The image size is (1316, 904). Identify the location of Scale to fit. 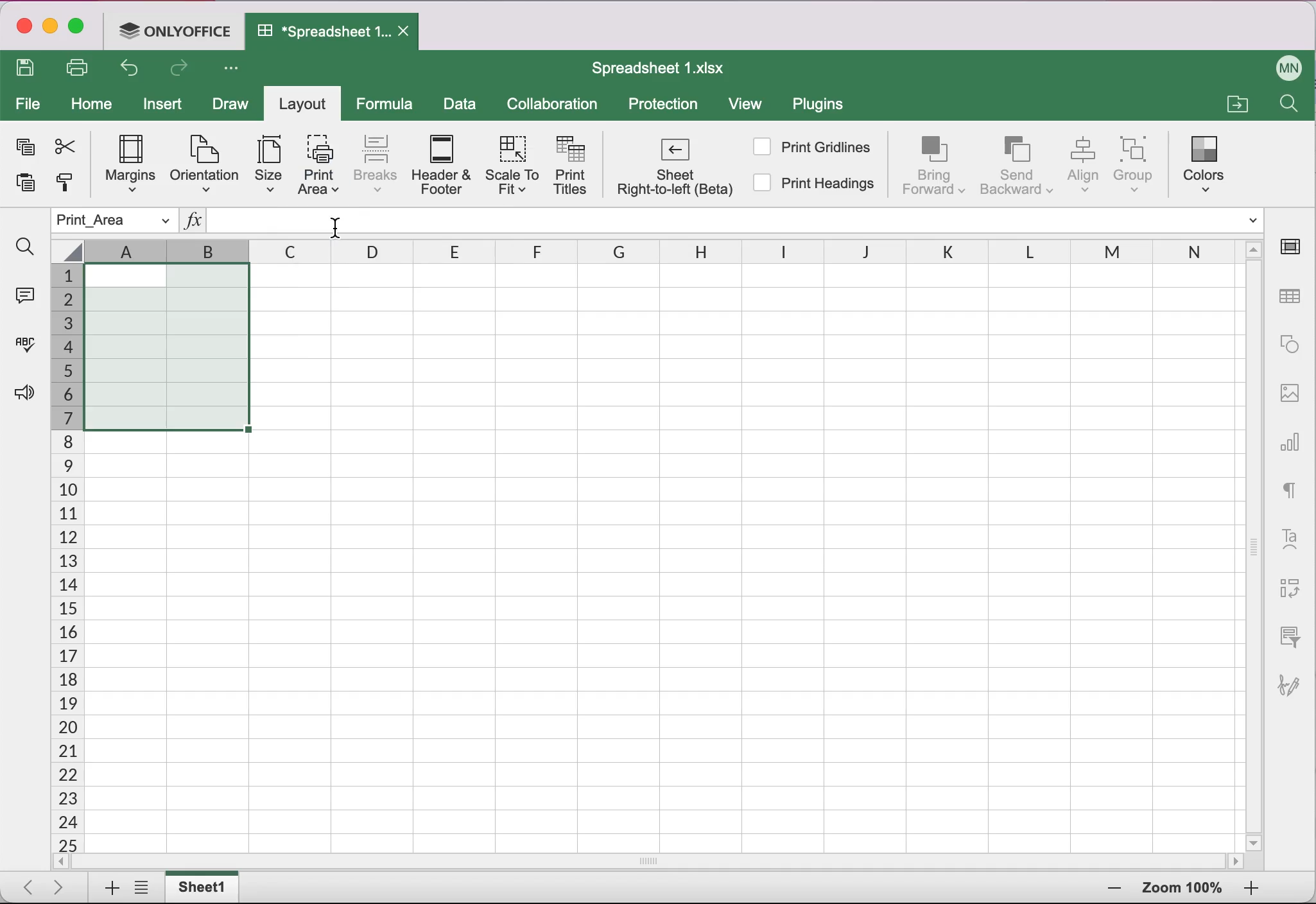
(515, 168).